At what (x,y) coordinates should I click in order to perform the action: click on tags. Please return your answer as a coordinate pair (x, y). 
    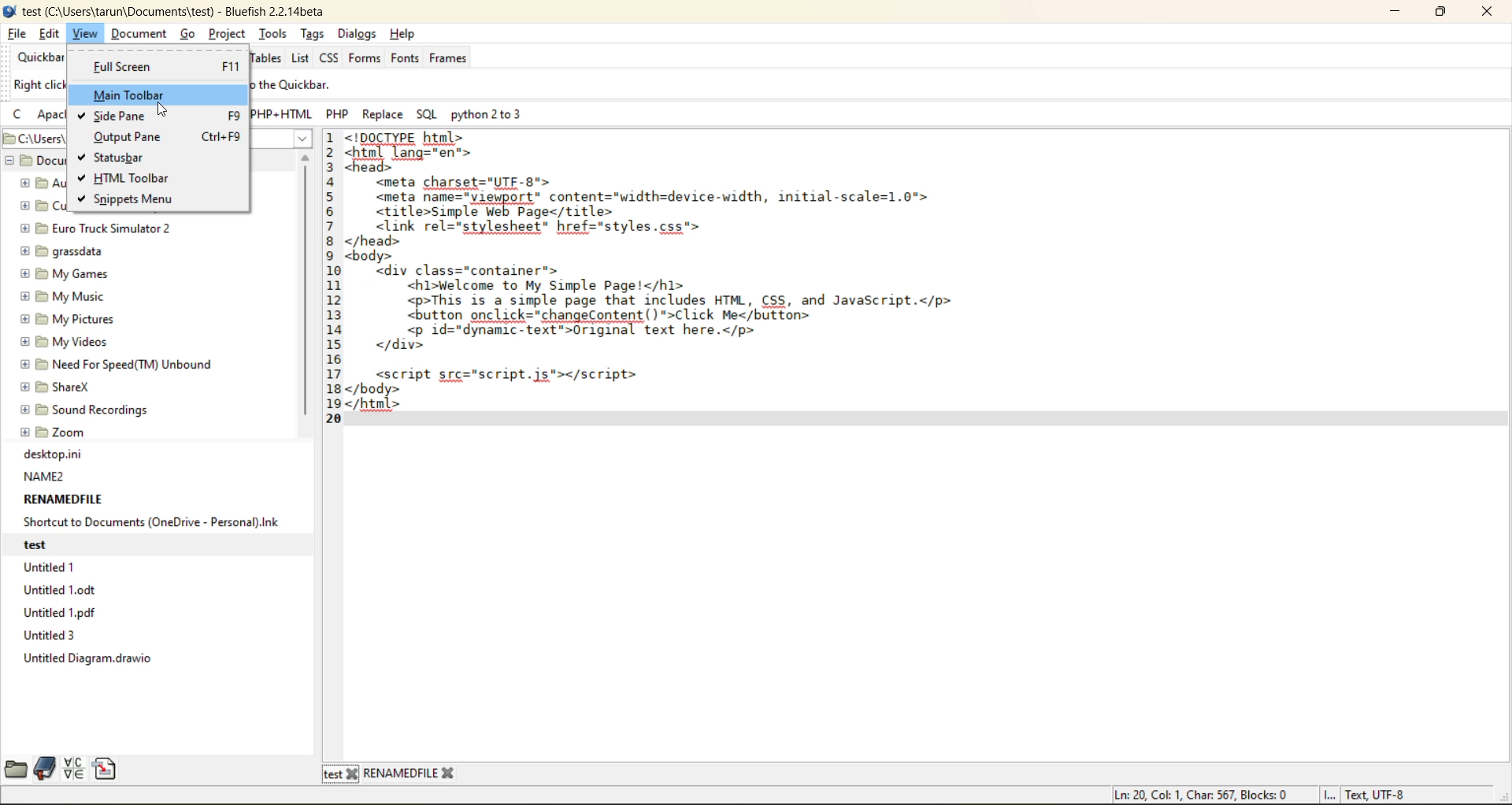
    Looking at the image, I should click on (314, 35).